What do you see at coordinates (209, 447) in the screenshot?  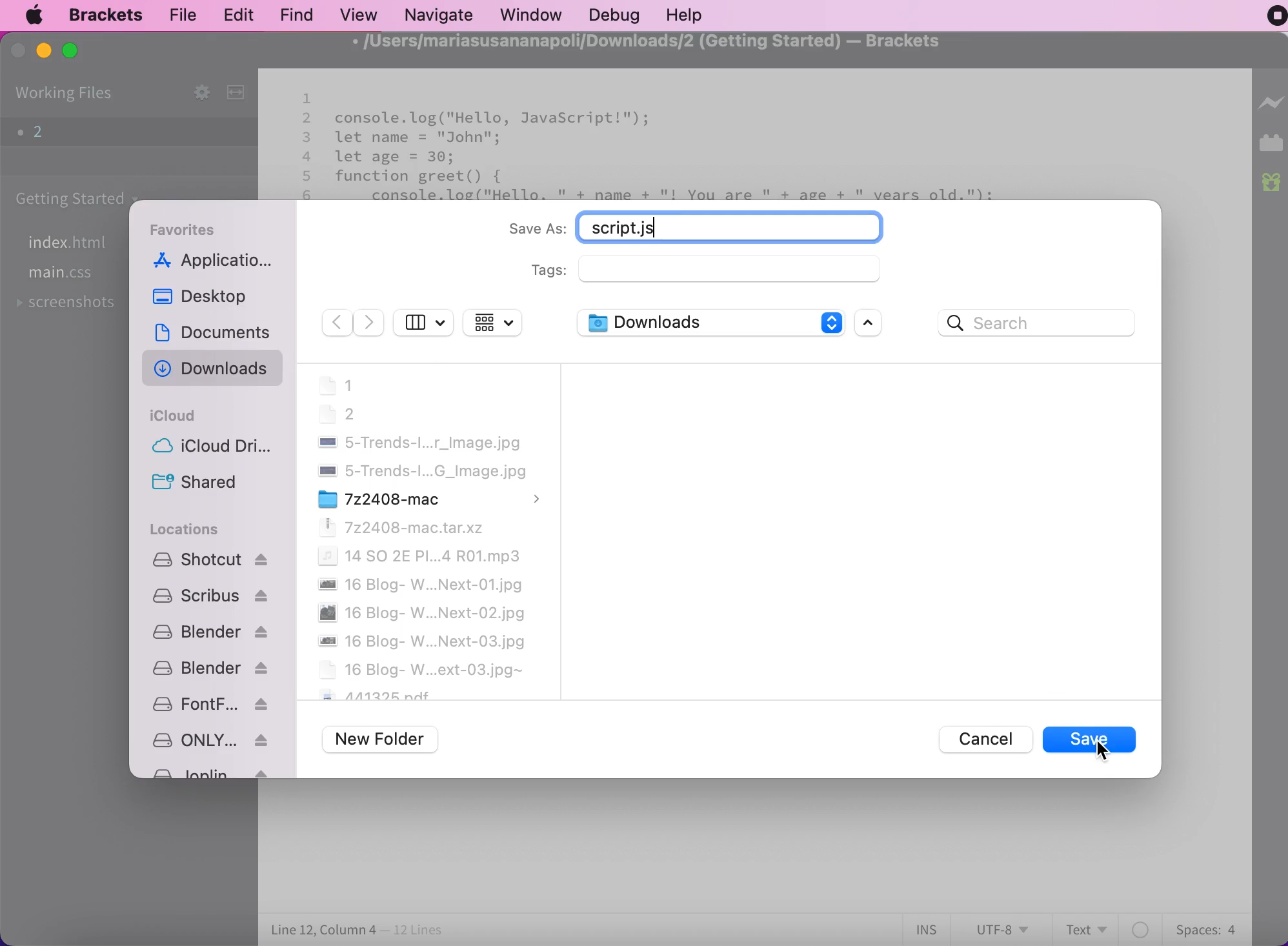 I see `icloud drive` at bounding box center [209, 447].